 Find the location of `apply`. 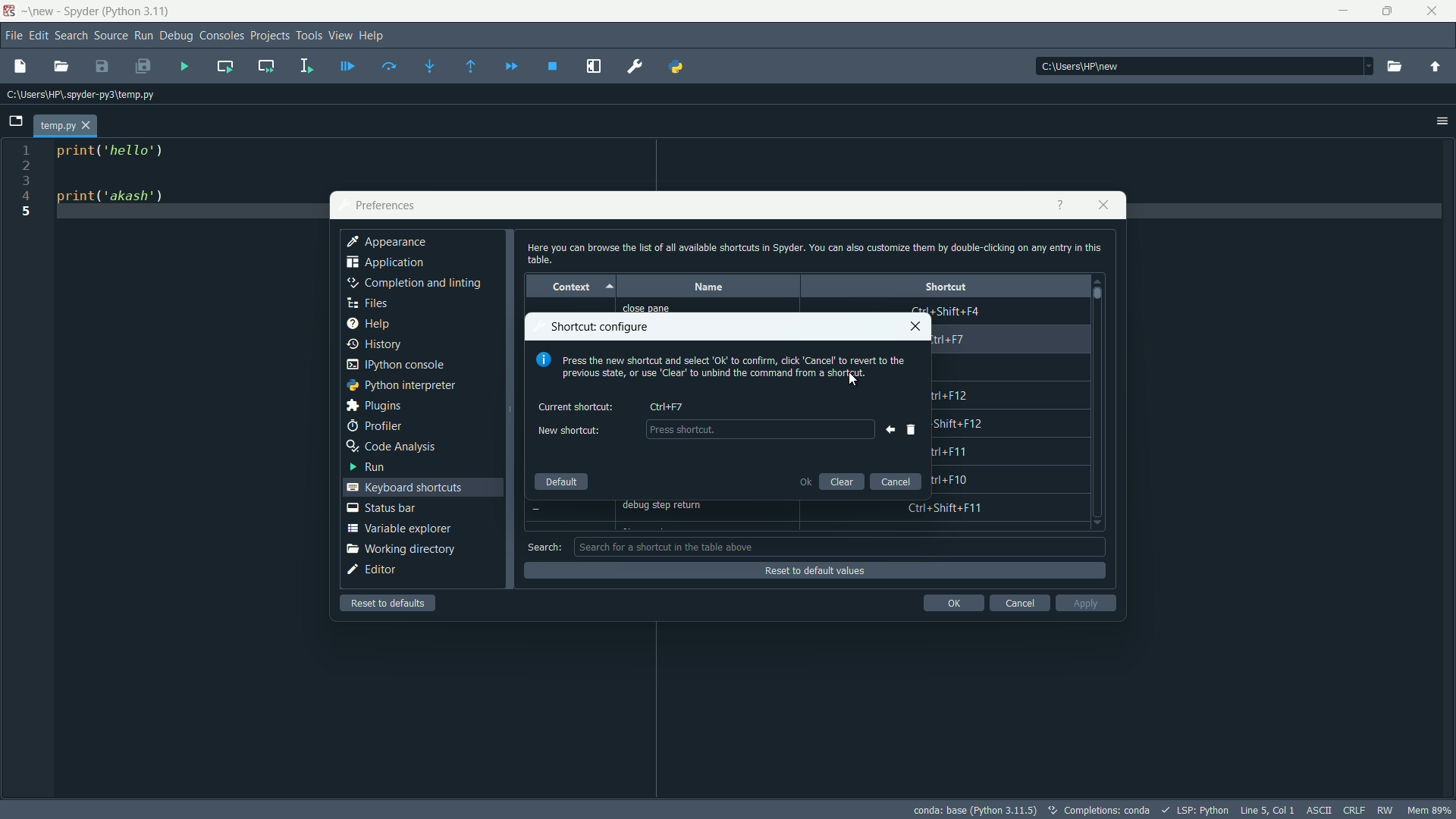

apply is located at coordinates (1086, 603).